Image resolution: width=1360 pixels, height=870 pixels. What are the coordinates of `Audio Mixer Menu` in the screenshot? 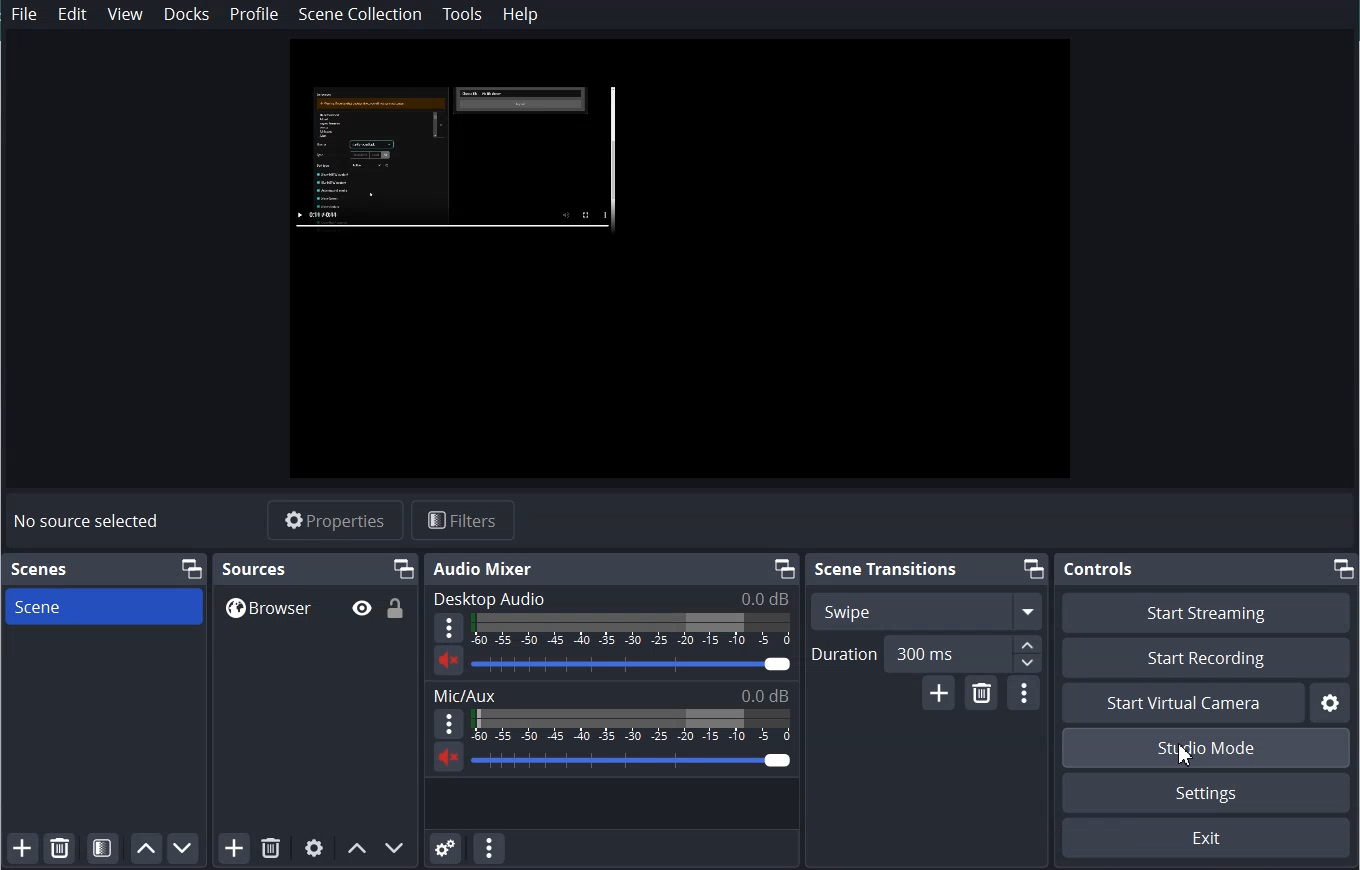 It's located at (488, 848).